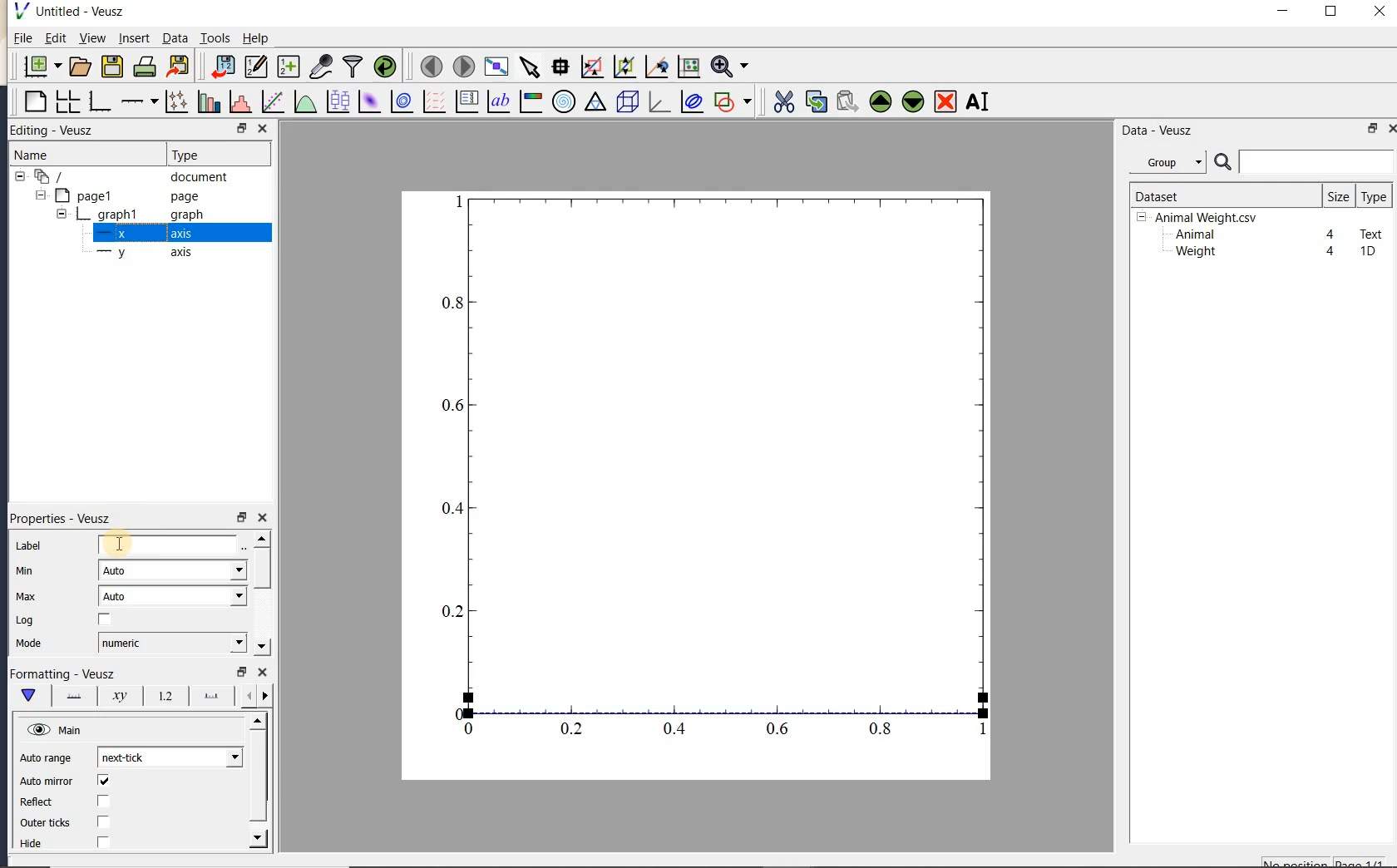  I want to click on axis, so click(141, 253).